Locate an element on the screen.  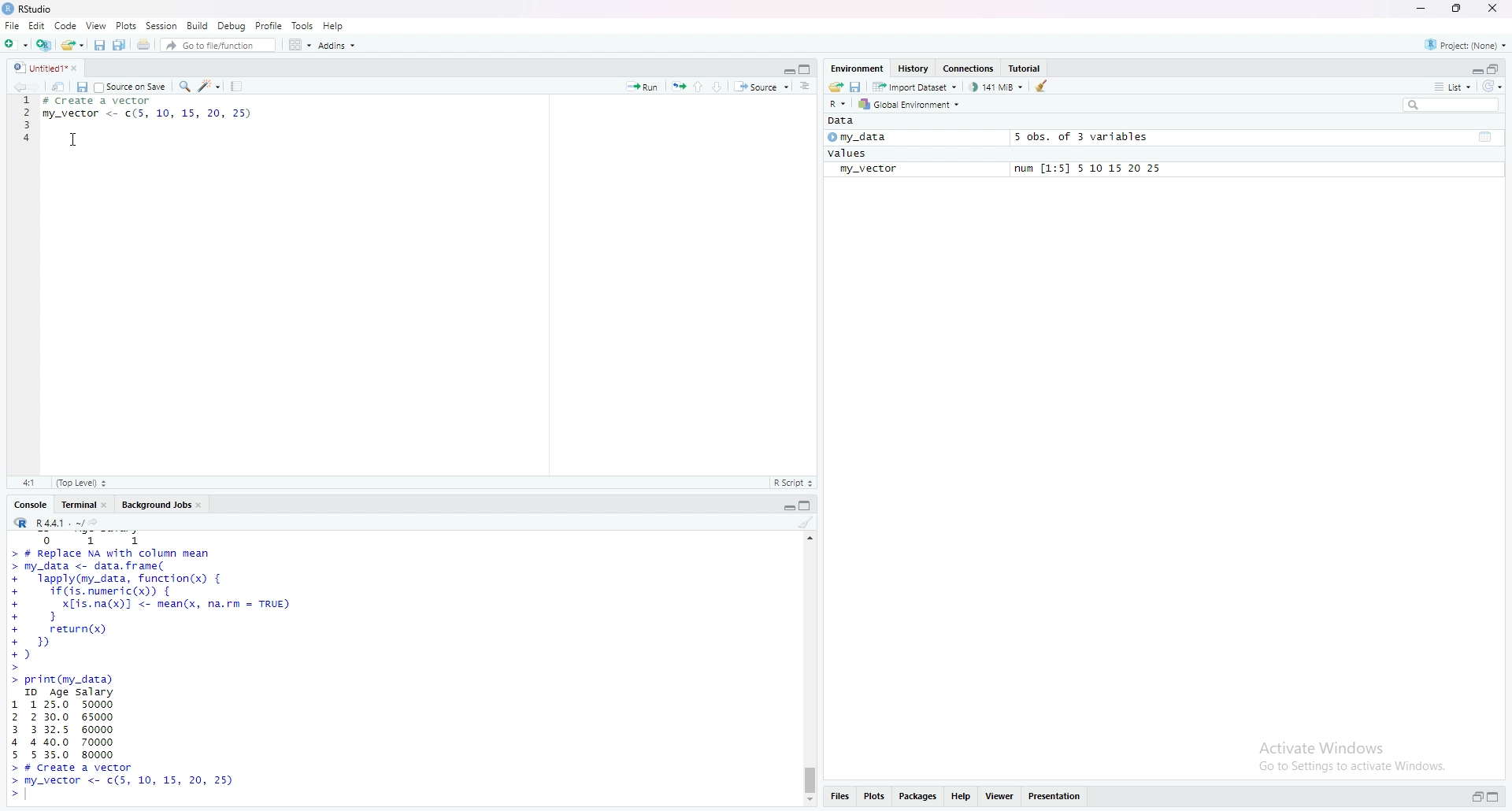
141 MB is located at coordinates (998, 87).